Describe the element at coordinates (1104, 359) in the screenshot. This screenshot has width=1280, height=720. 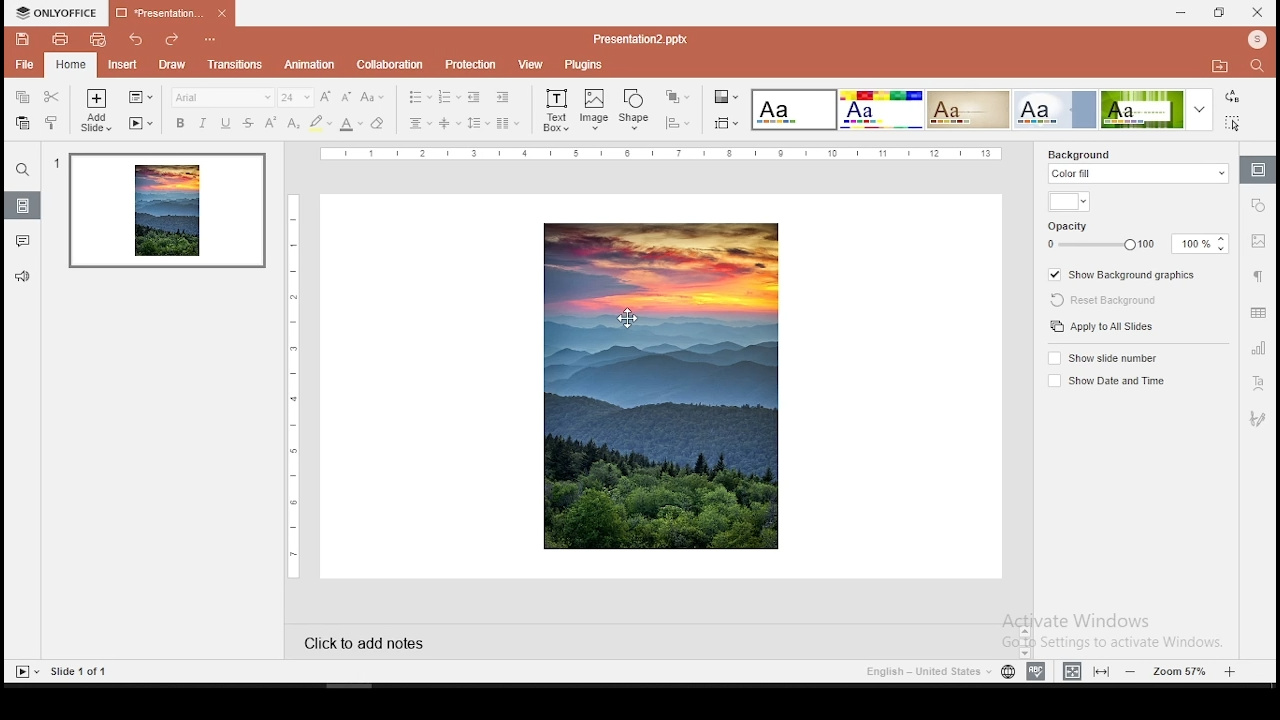
I see `show slide number` at that location.